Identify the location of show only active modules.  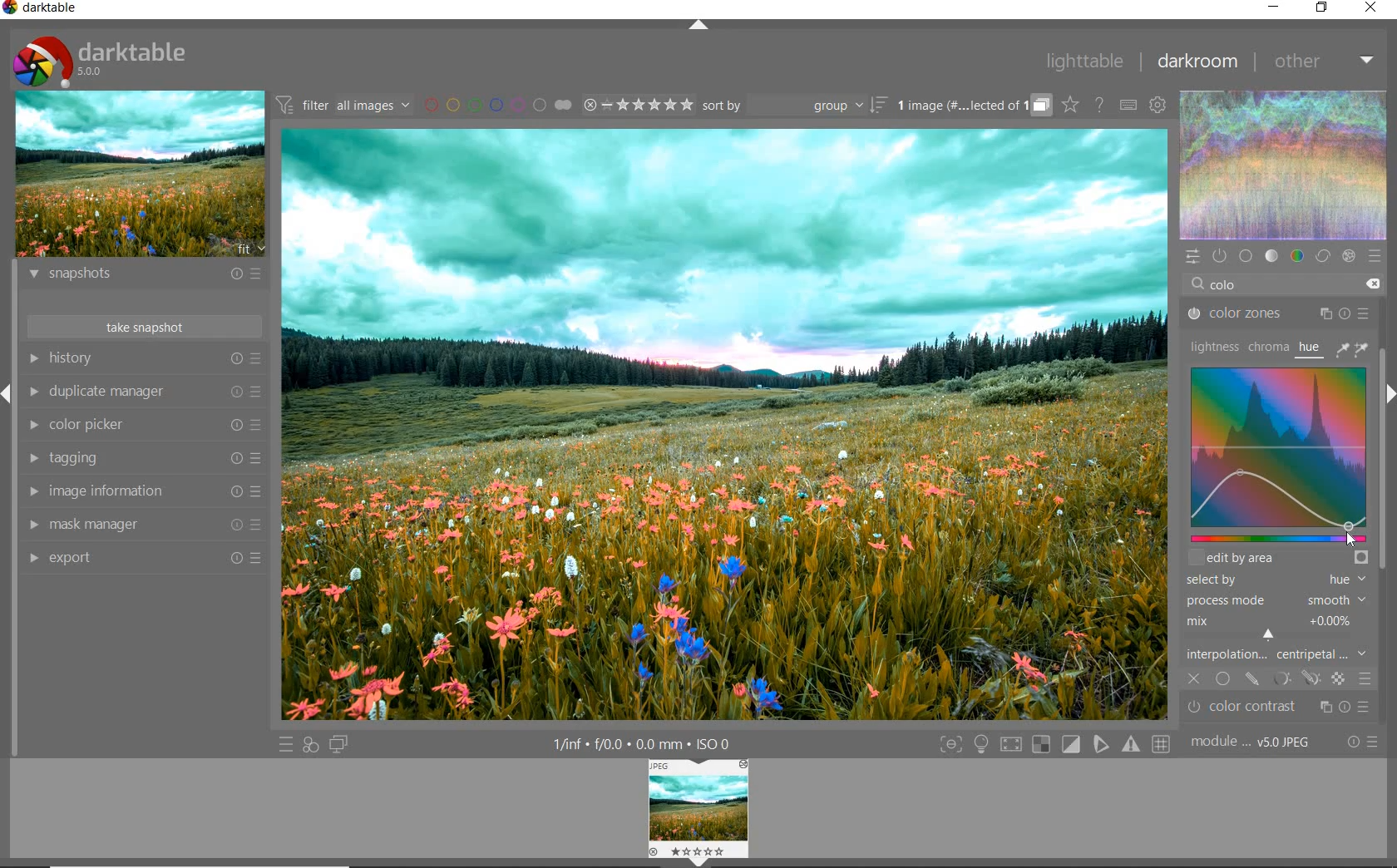
(1218, 254).